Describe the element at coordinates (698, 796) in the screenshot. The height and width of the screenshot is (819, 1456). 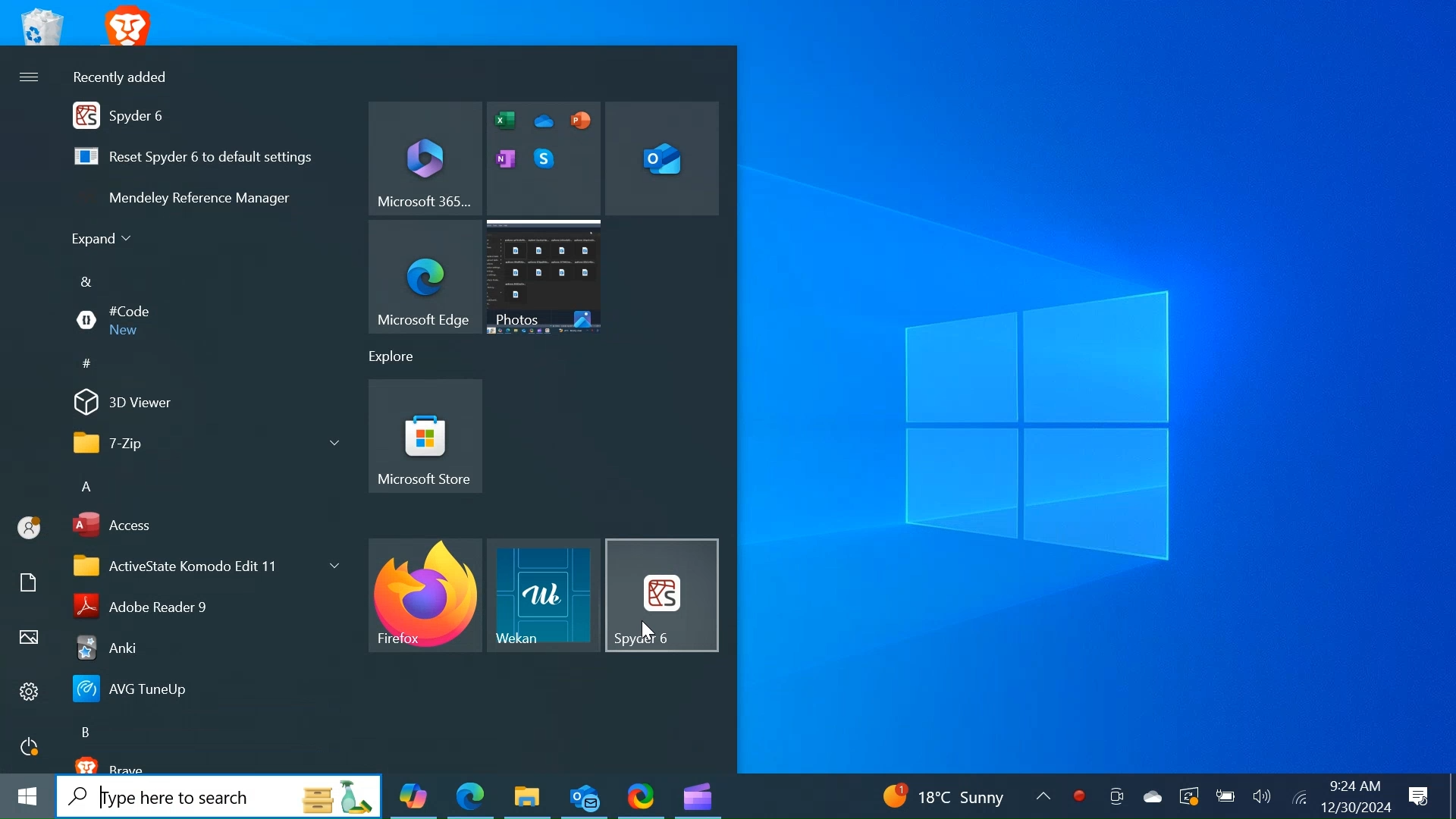
I see `Microsoft Clipchamp` at that location.